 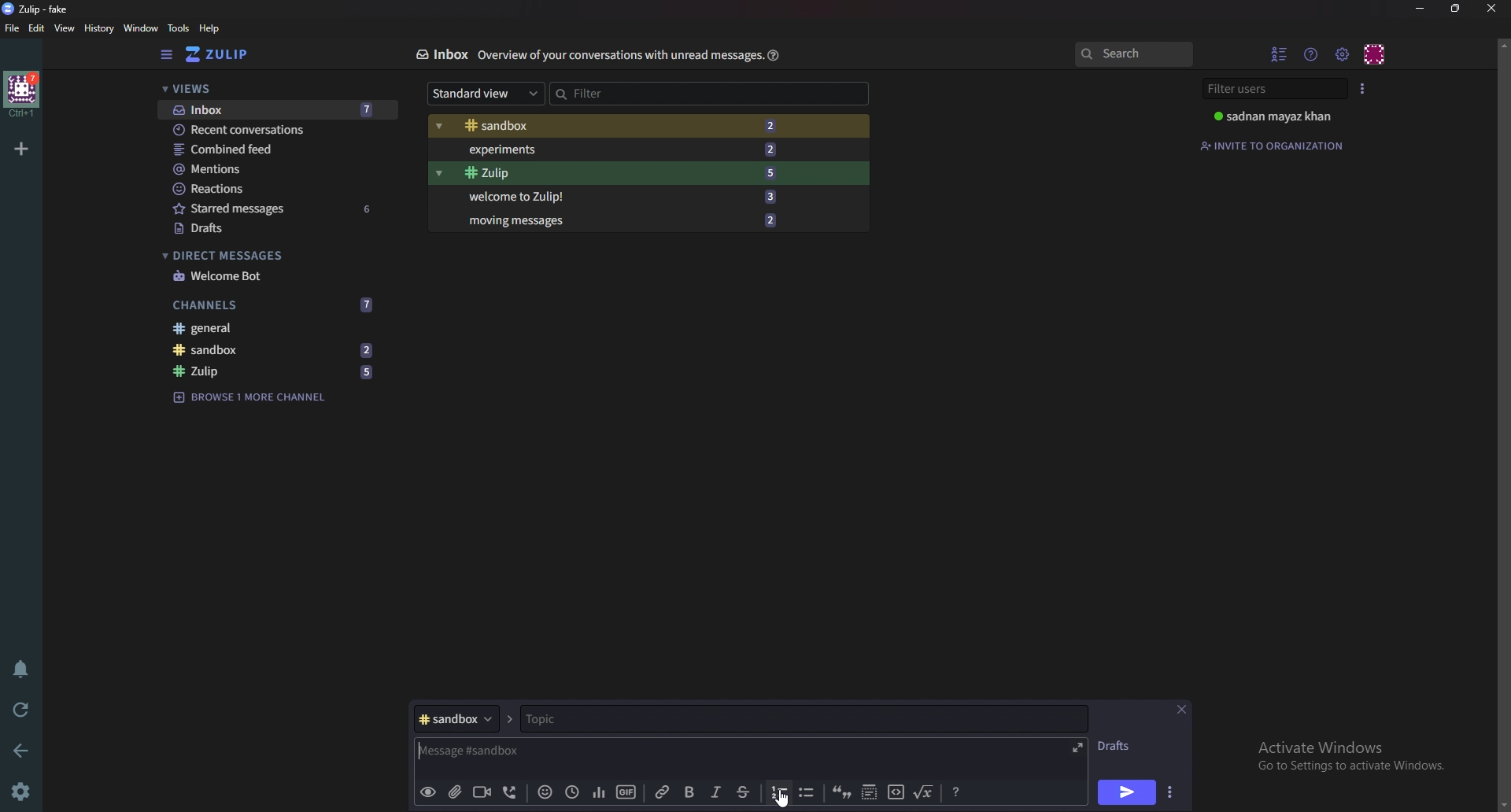 What do you see at coordinates (1376, 53) in the screenshot?
I see `Personal menu` at bounding box center [1376, 53].